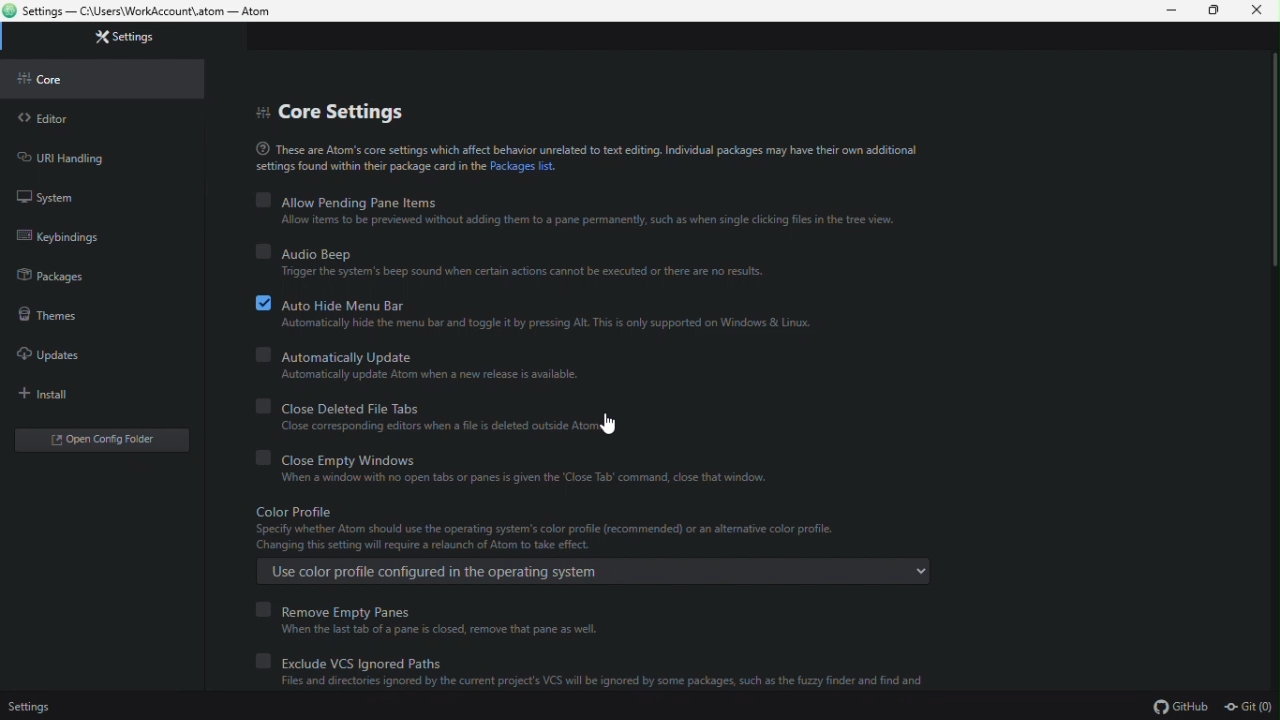  I want to click on Scroll bar, so click(1272, 162).